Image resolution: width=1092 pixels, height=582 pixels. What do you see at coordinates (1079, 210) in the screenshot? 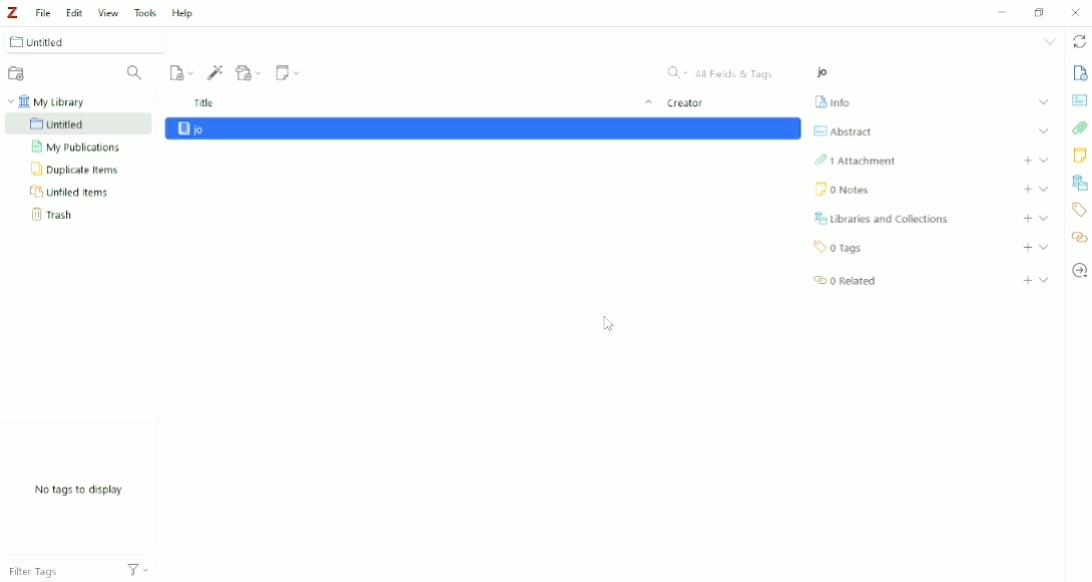
I see `Tags` at bounding box center [1079, 210].